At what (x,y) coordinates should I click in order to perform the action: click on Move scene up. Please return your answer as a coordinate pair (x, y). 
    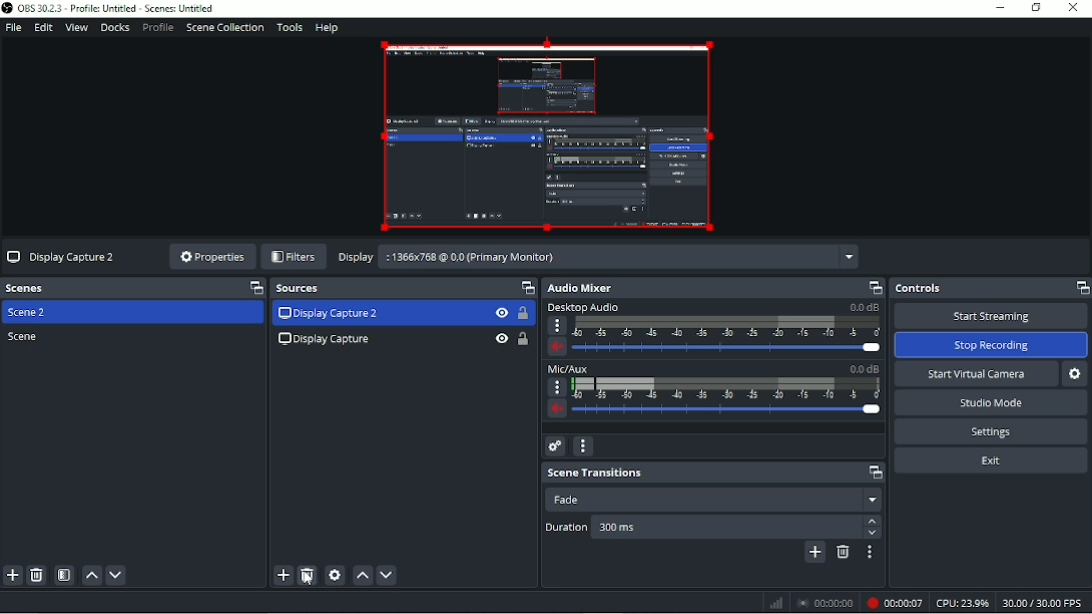
    Looking at the image, I should click on (92, 576).